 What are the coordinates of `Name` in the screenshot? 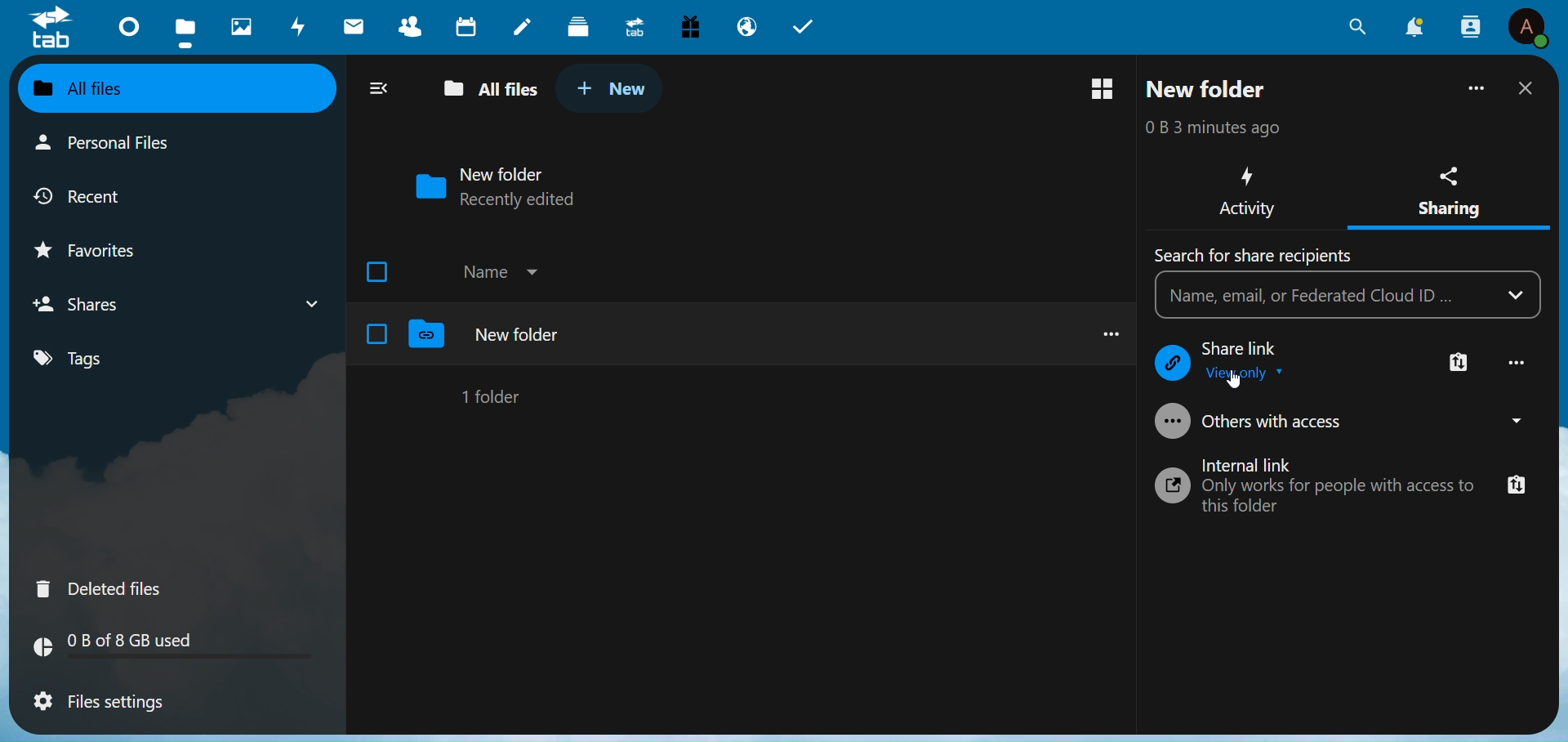 It's located at (483, 272).